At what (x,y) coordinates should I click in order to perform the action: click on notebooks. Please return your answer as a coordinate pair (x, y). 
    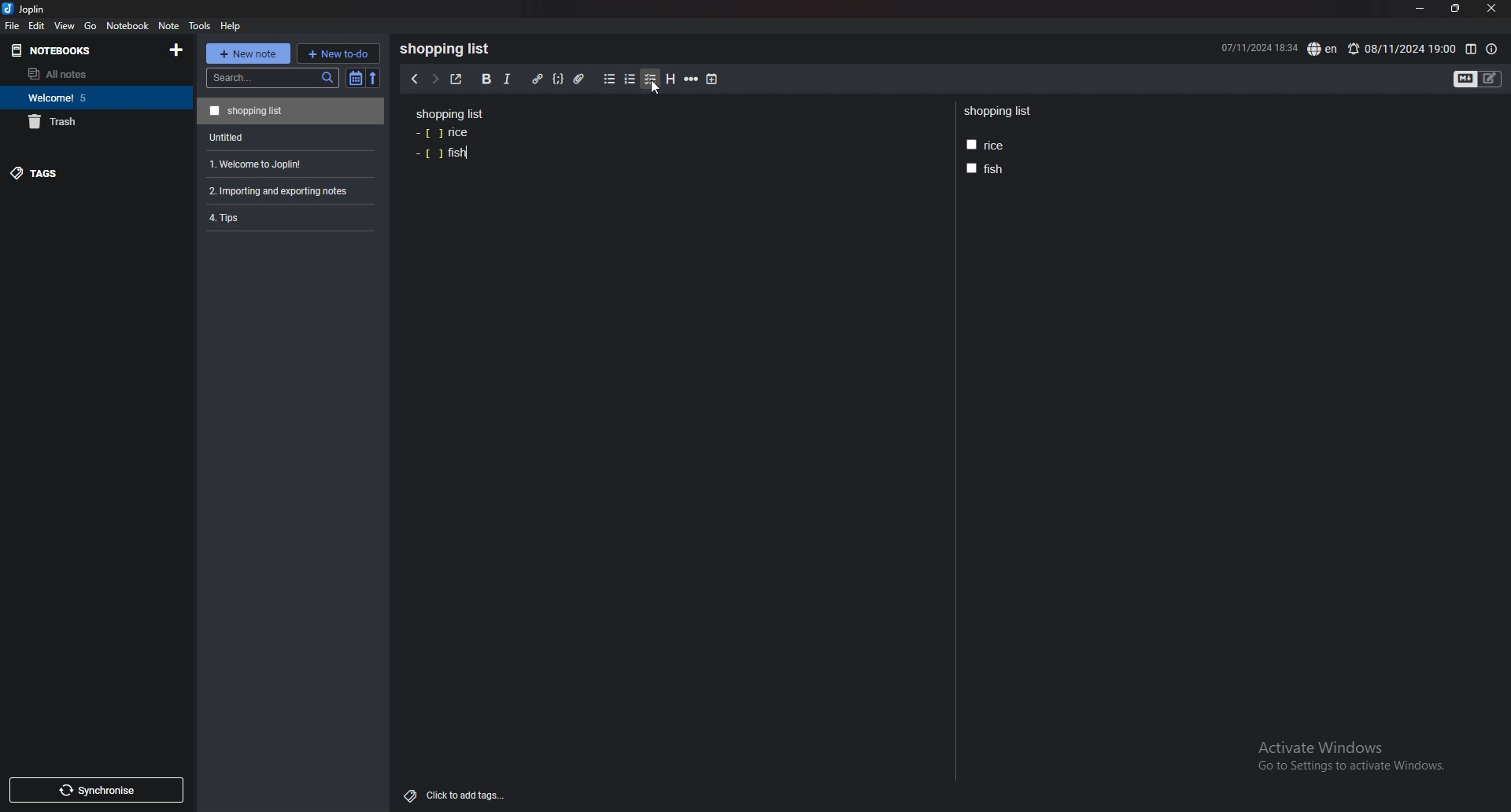
    Looking at the image, I should click on (72, 51).